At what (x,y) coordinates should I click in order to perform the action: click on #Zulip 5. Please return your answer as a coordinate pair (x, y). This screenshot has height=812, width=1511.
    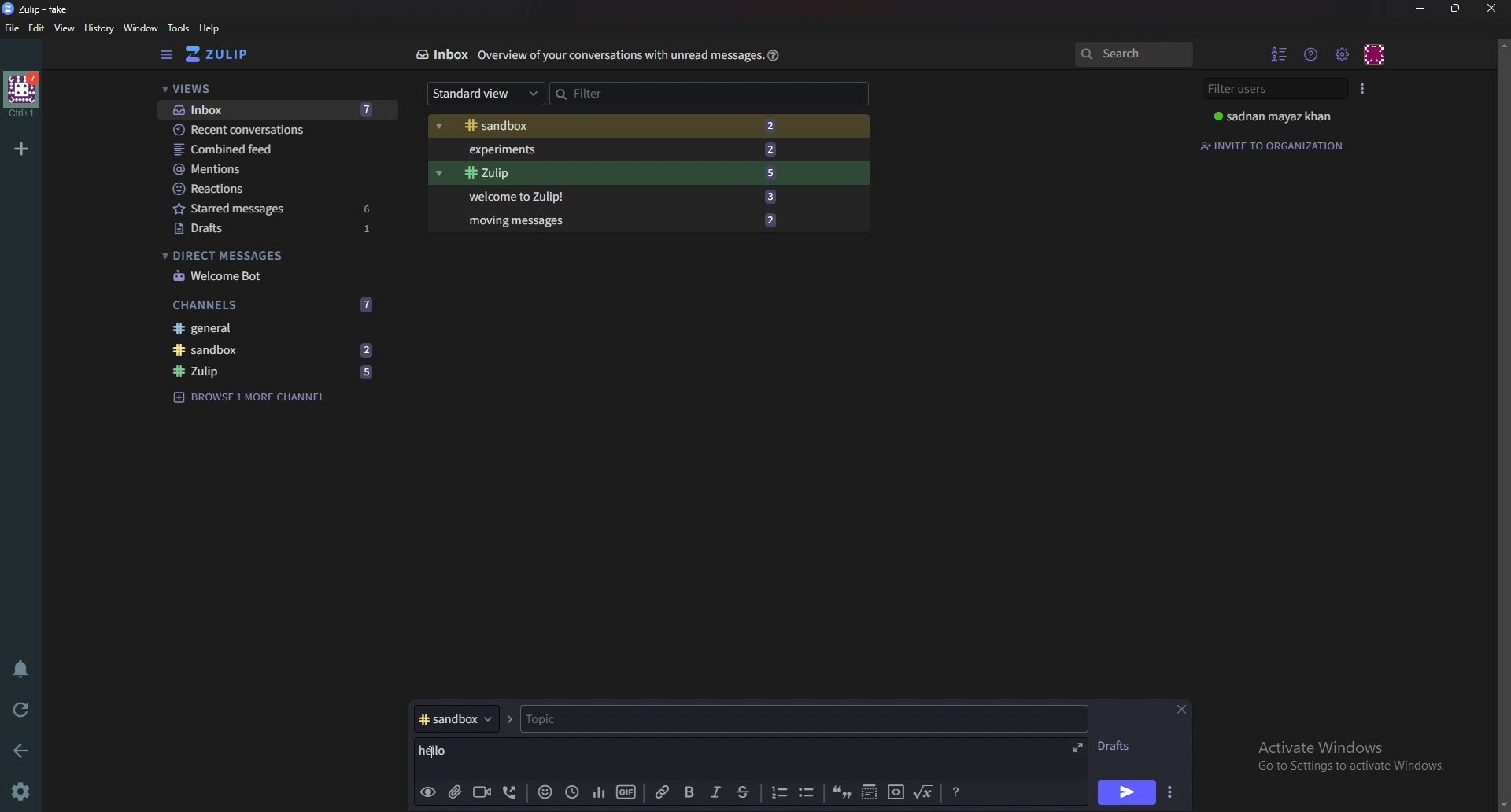
    Looking at the image, I should click on (278, 370).